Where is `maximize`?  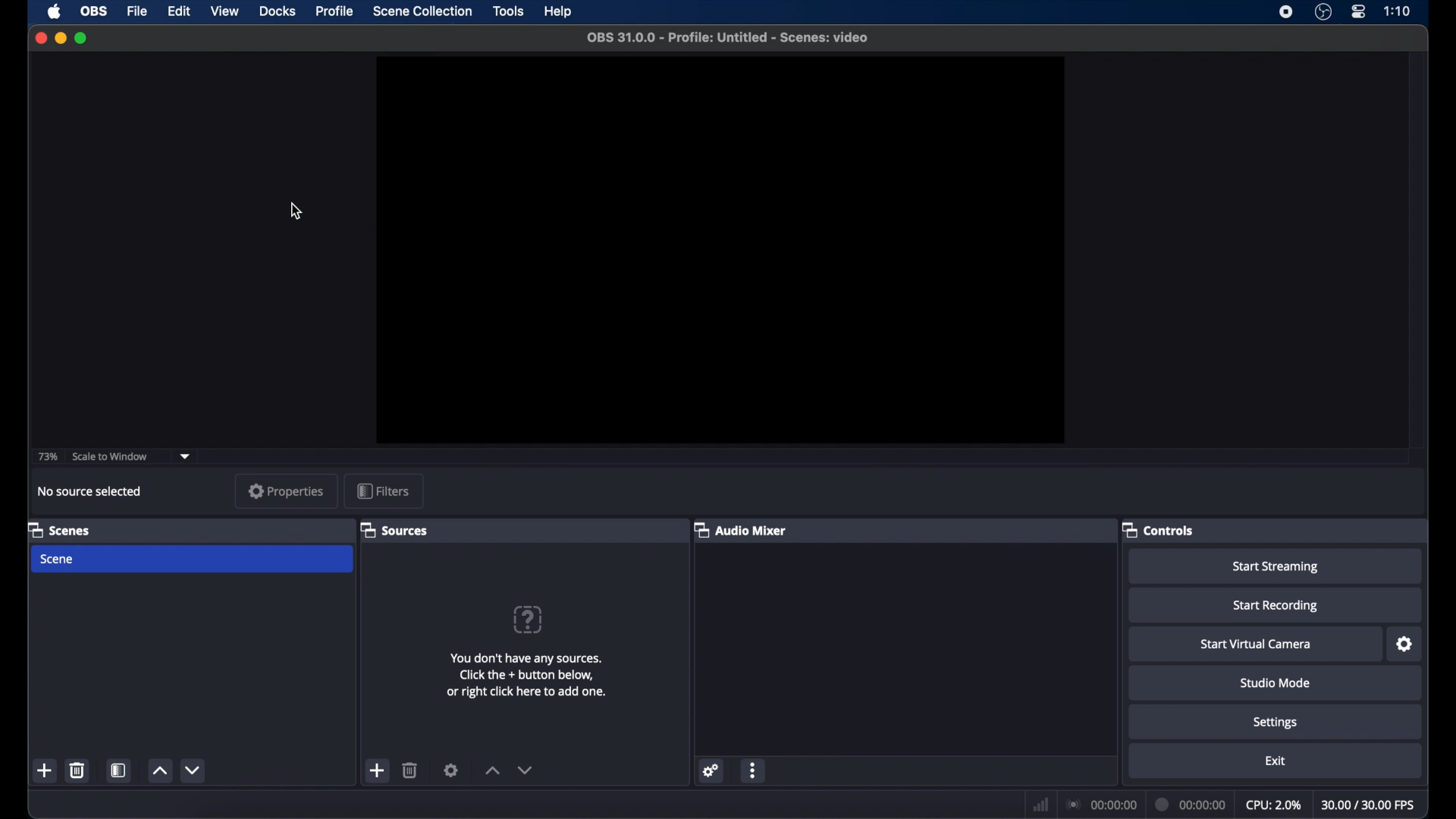 maximize is located at coordinates (82, 38).